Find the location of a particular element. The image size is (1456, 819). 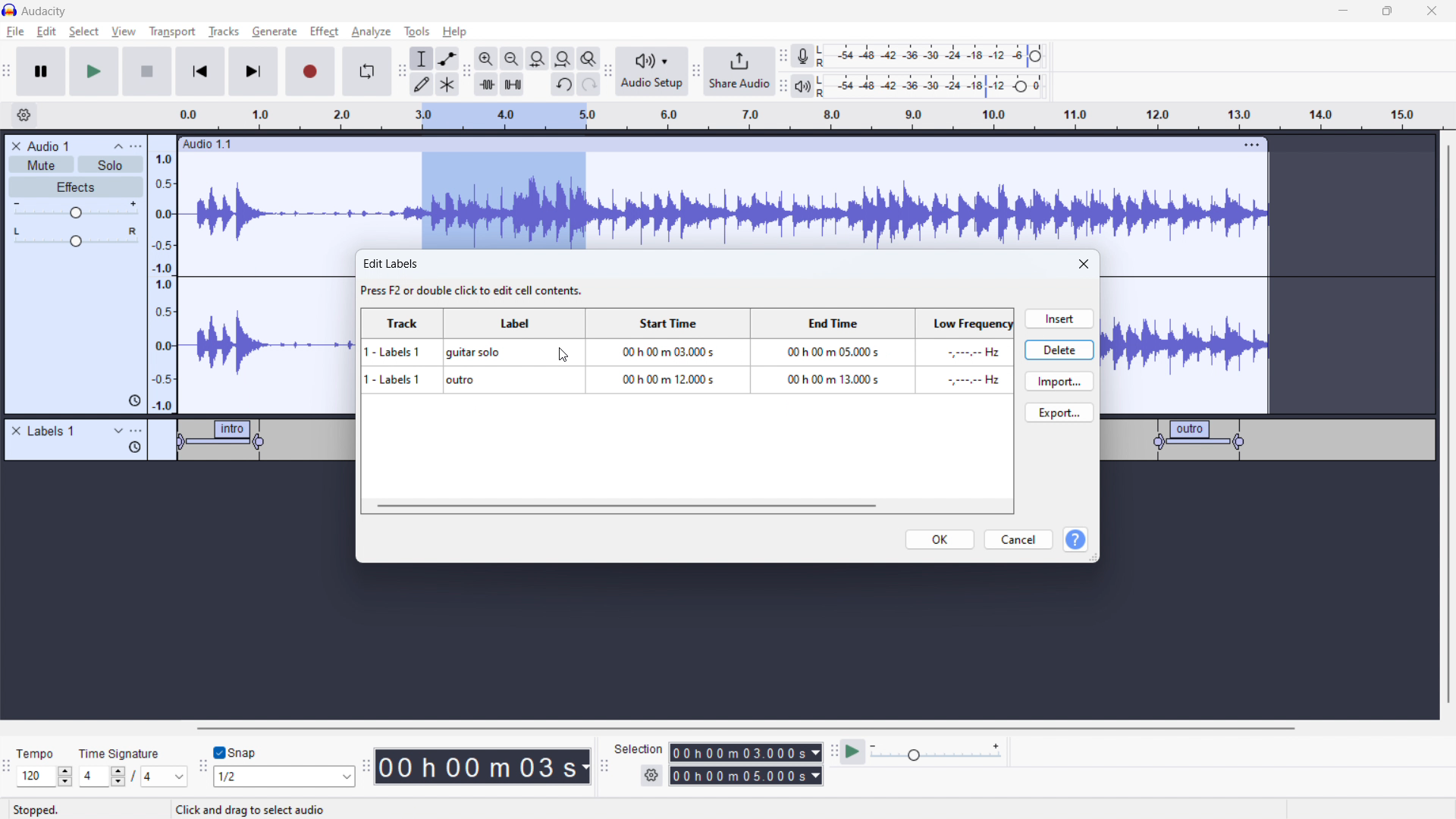

select is located at coordinates (83, 31).